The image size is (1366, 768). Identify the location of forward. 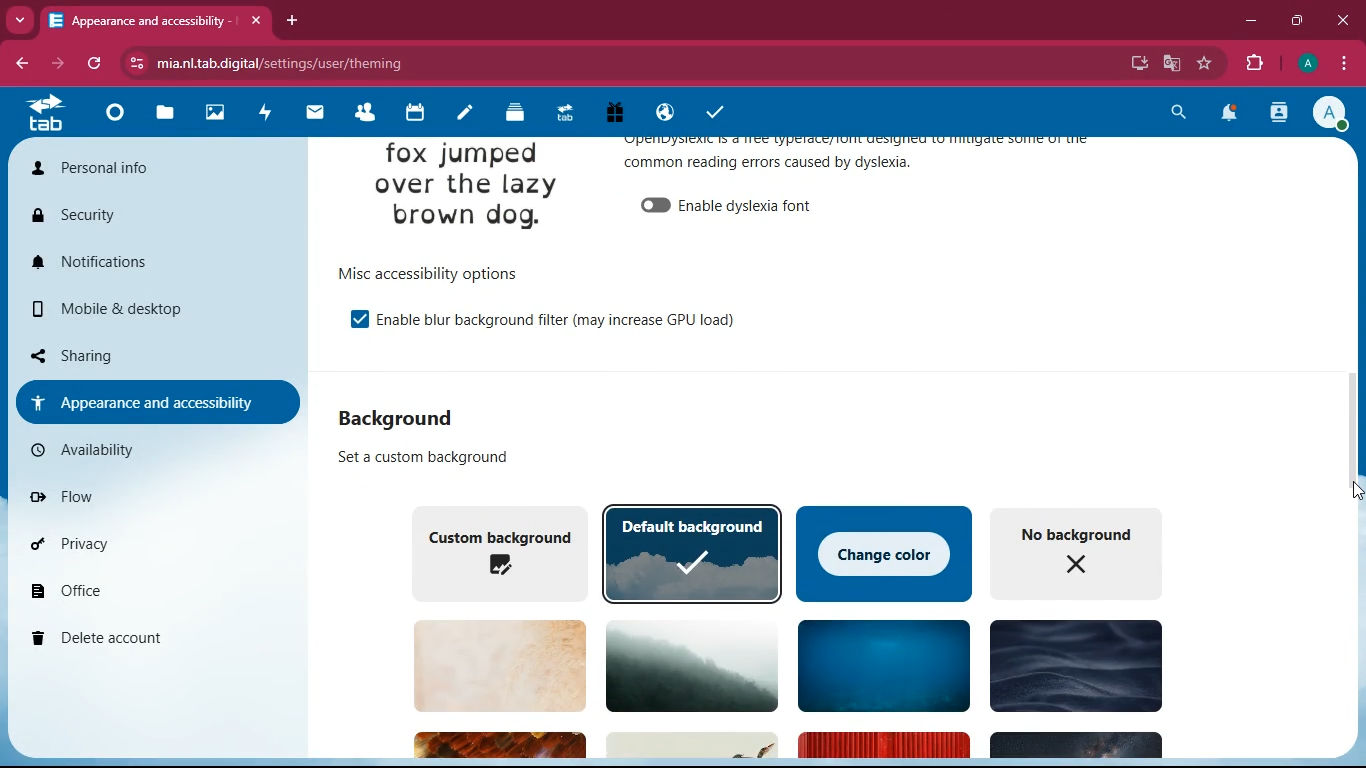
(57, 64).